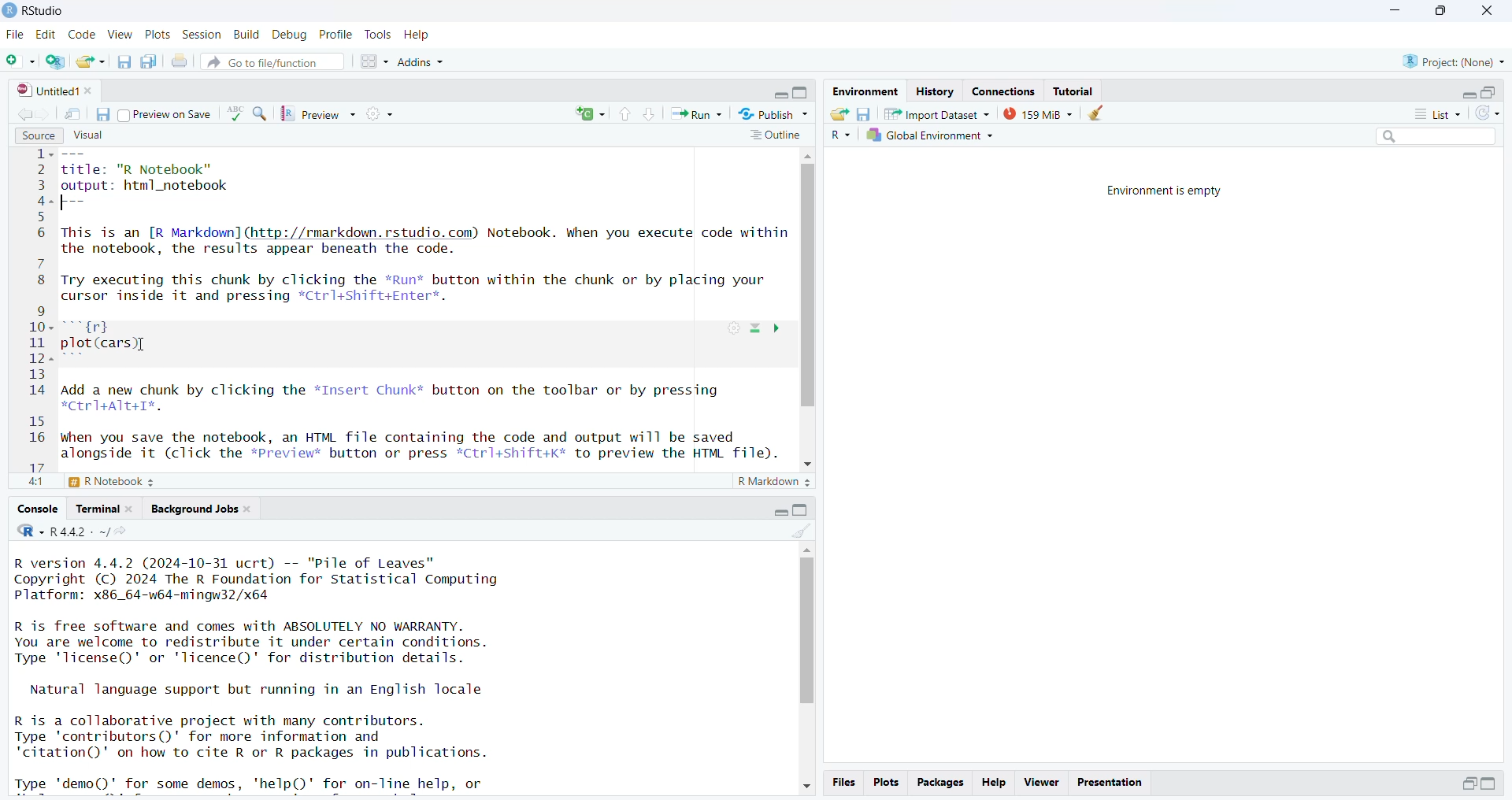 This screenshot has width=1512, height=800. Describe the element at coordinates (166, 116) in the screenshot. I see `preview on save` at that location.